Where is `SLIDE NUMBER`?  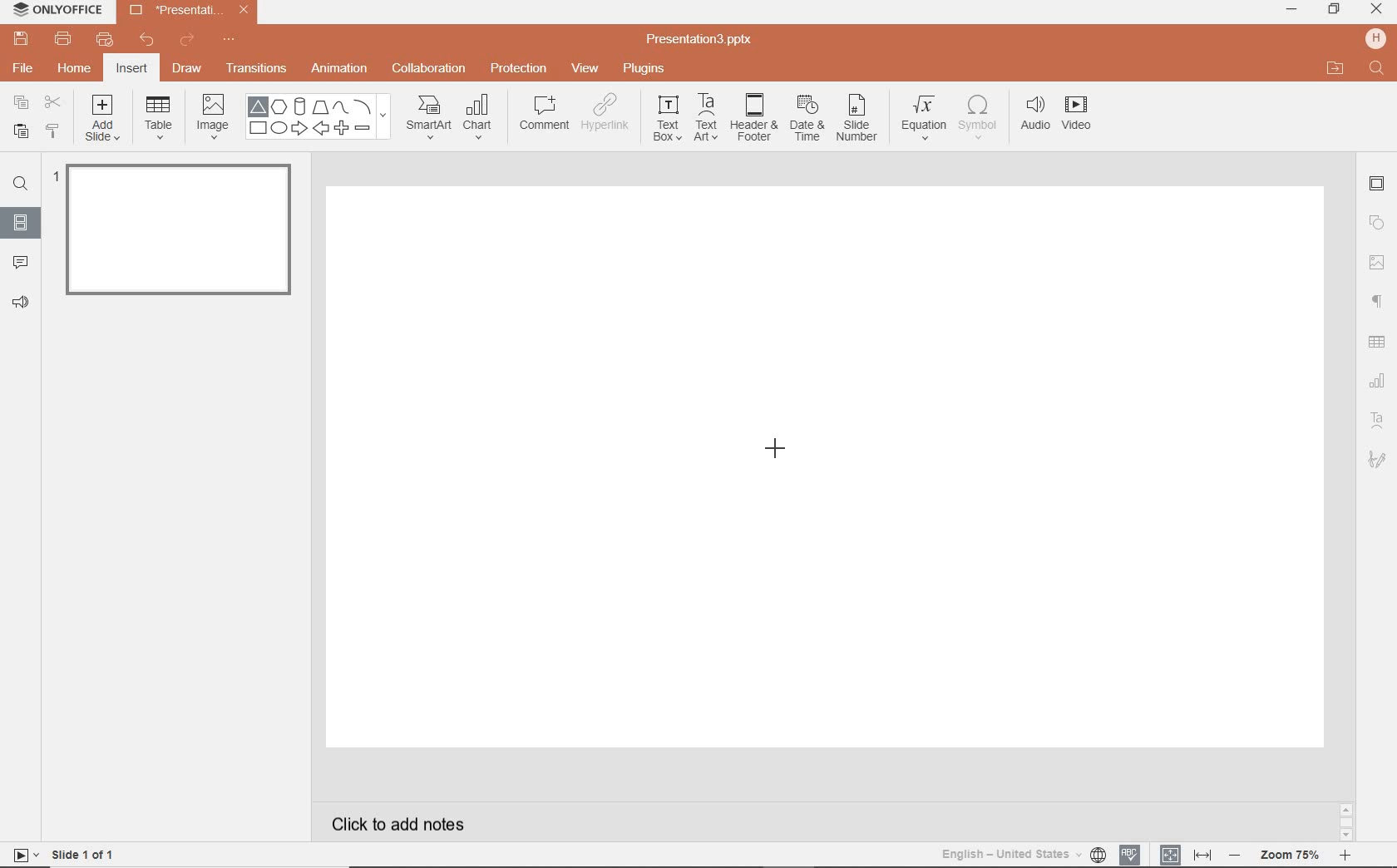 SLIDE NUMBER is located at coordinates (858, 121).